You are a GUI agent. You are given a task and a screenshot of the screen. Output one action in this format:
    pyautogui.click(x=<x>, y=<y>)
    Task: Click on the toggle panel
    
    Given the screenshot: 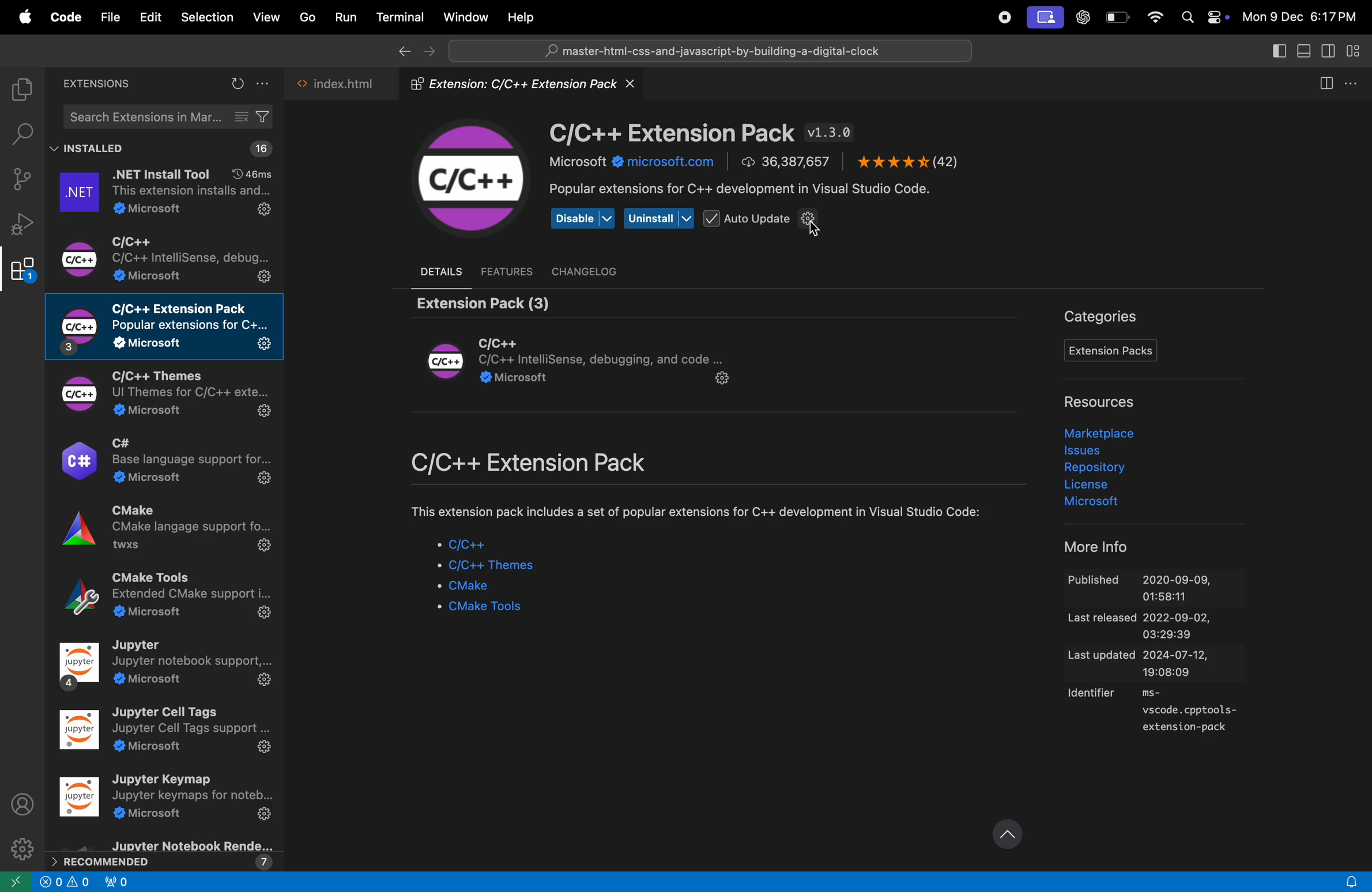 What is the action you would take?
    pyautogui.click(x=1301, y=50)
    